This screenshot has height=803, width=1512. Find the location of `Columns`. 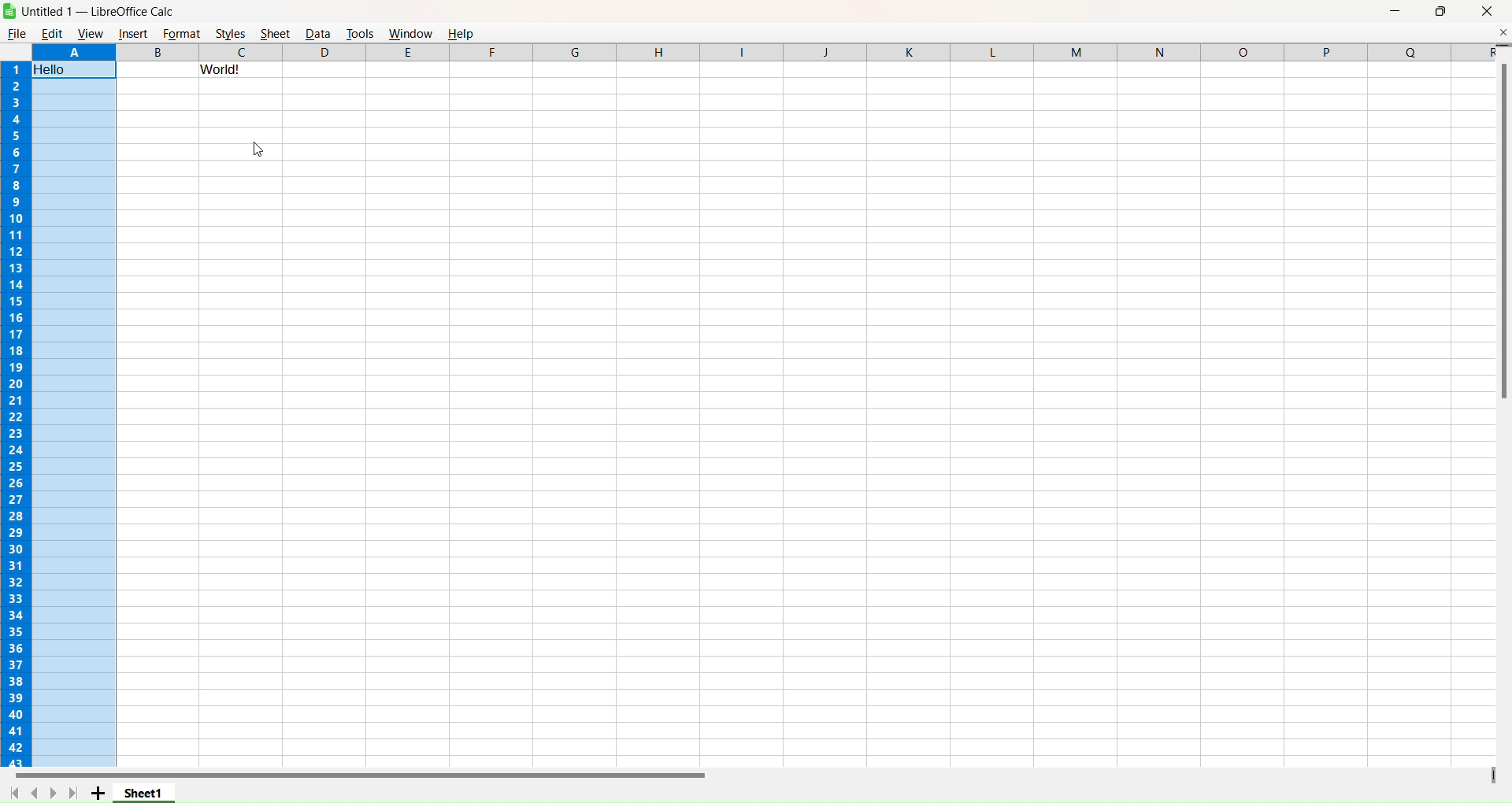

Columns is located at coordinates (845, 52).